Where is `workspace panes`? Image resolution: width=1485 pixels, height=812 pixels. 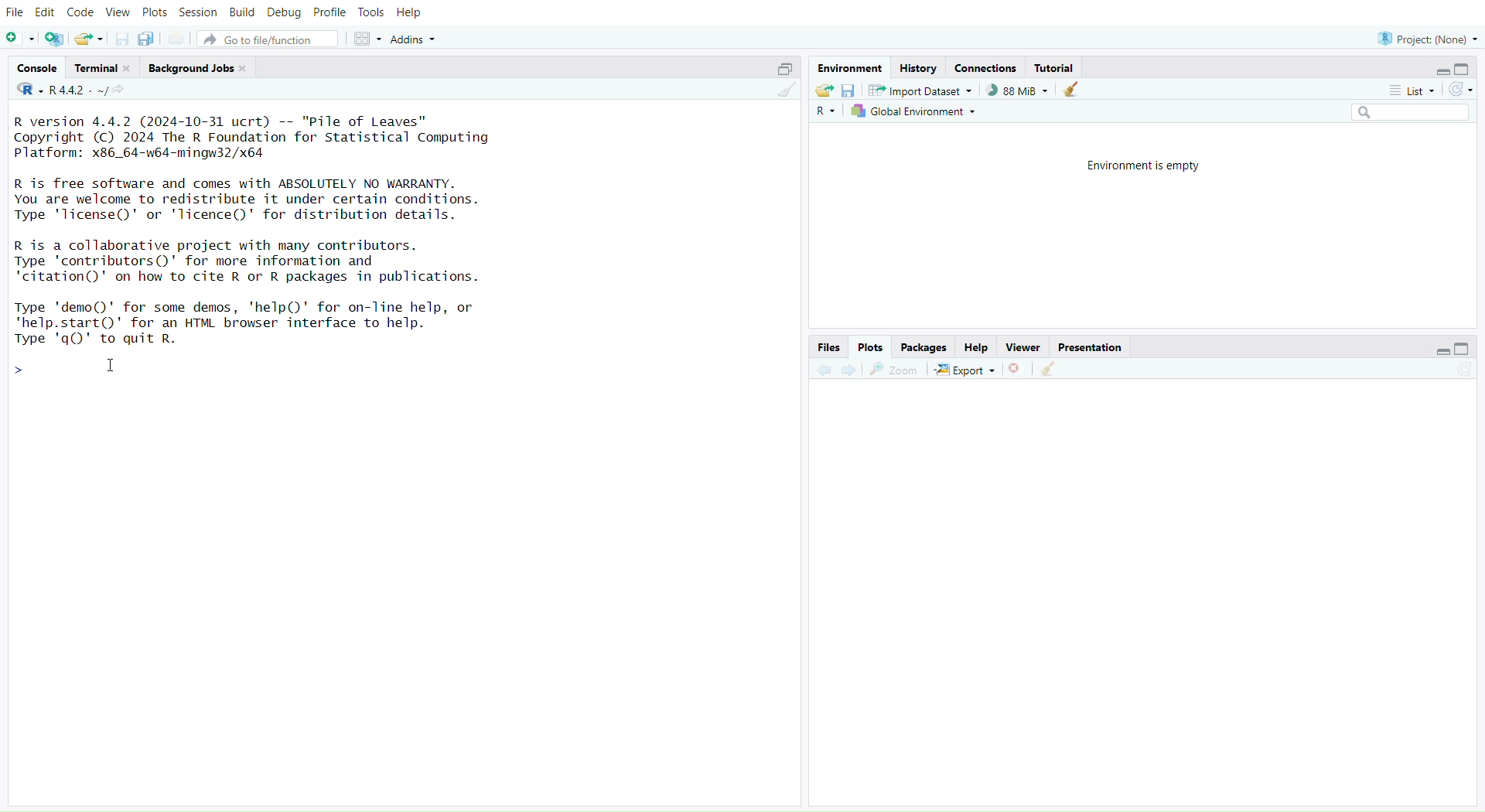
workspace panes is located at coordinates (367, 39).